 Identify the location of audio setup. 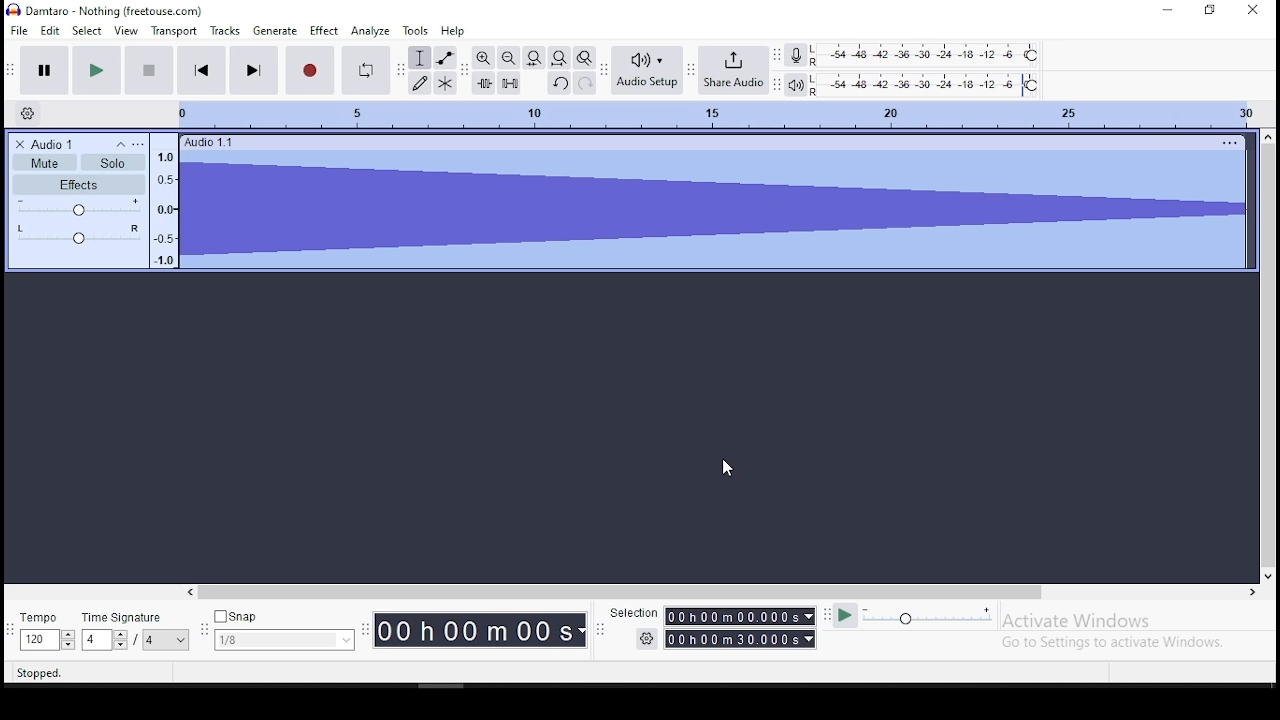
(648, 70).